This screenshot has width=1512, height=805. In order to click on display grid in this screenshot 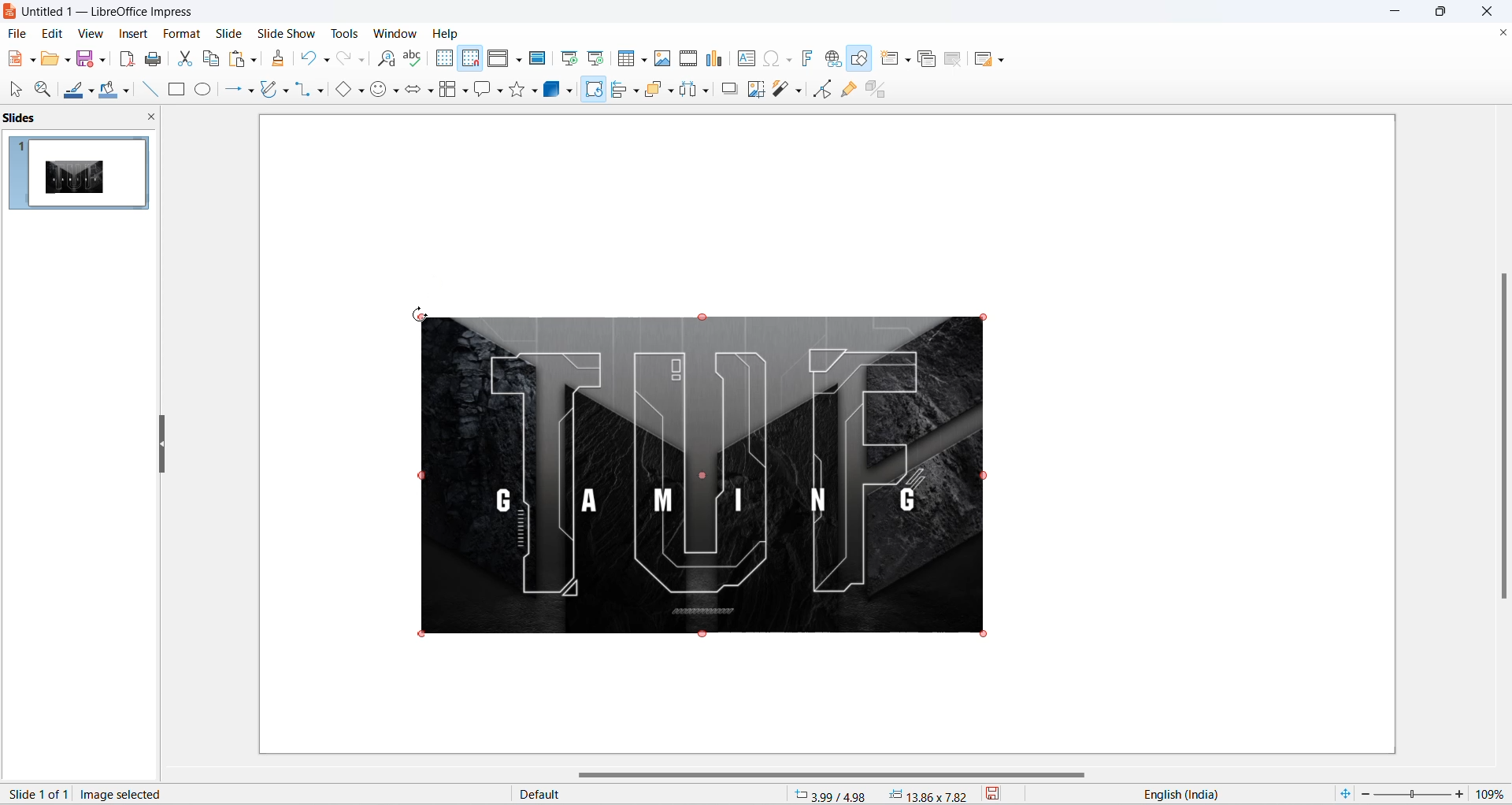, I will do `click(443, 57)`.